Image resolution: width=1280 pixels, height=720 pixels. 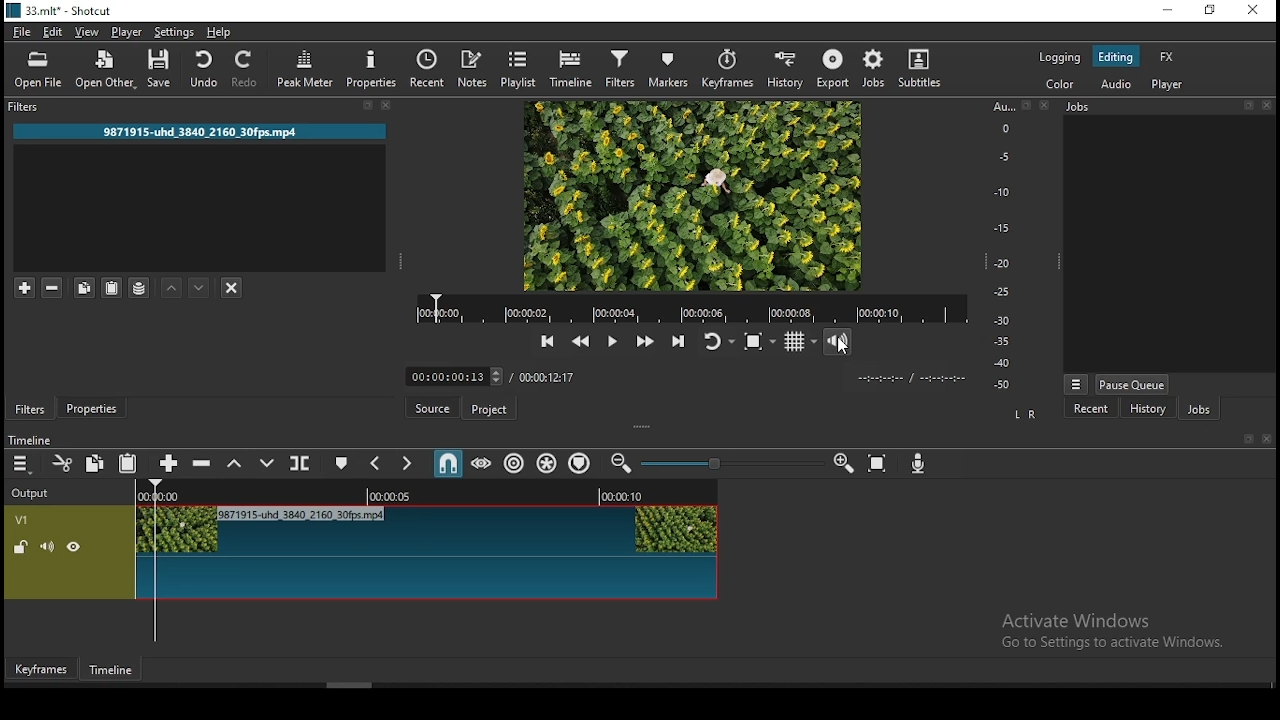 What do you see at coordinates (1117, 57) in the screenshot?
I see `editing` at bounding box center [1117, 57].